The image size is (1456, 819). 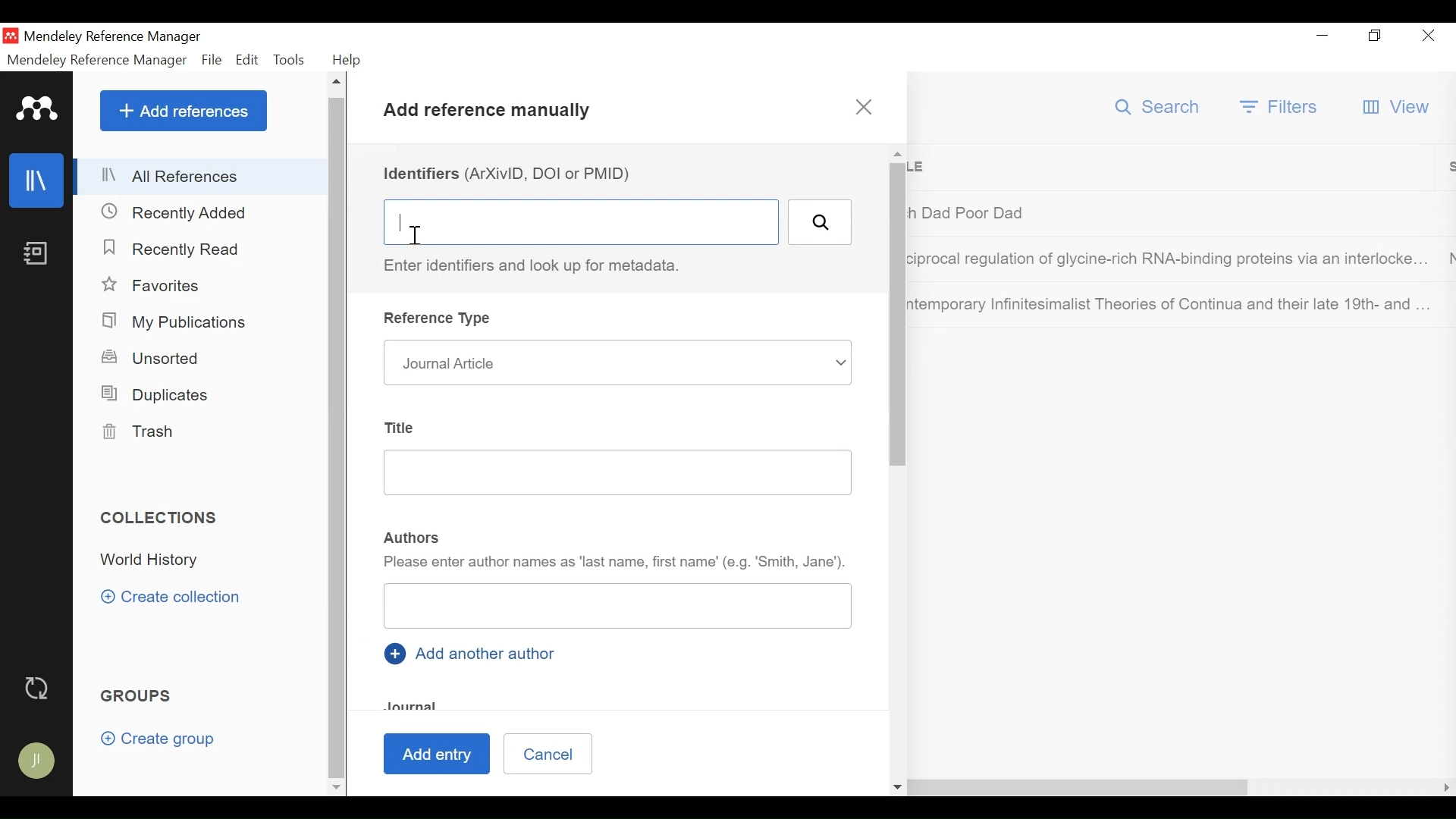 I want to click on Library, so click(x=38, y=180).